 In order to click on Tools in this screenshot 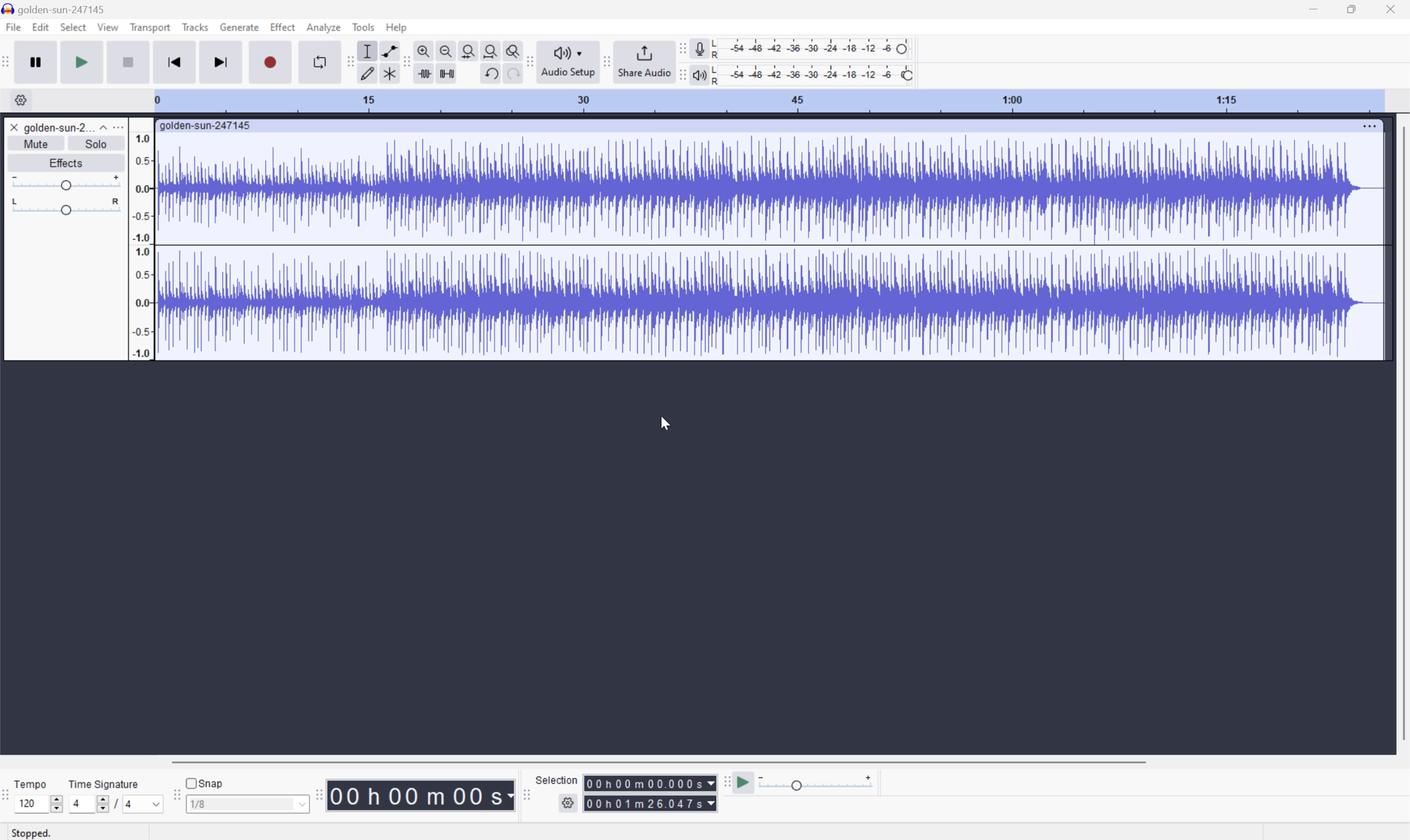, I will do `click(363, 25)`.